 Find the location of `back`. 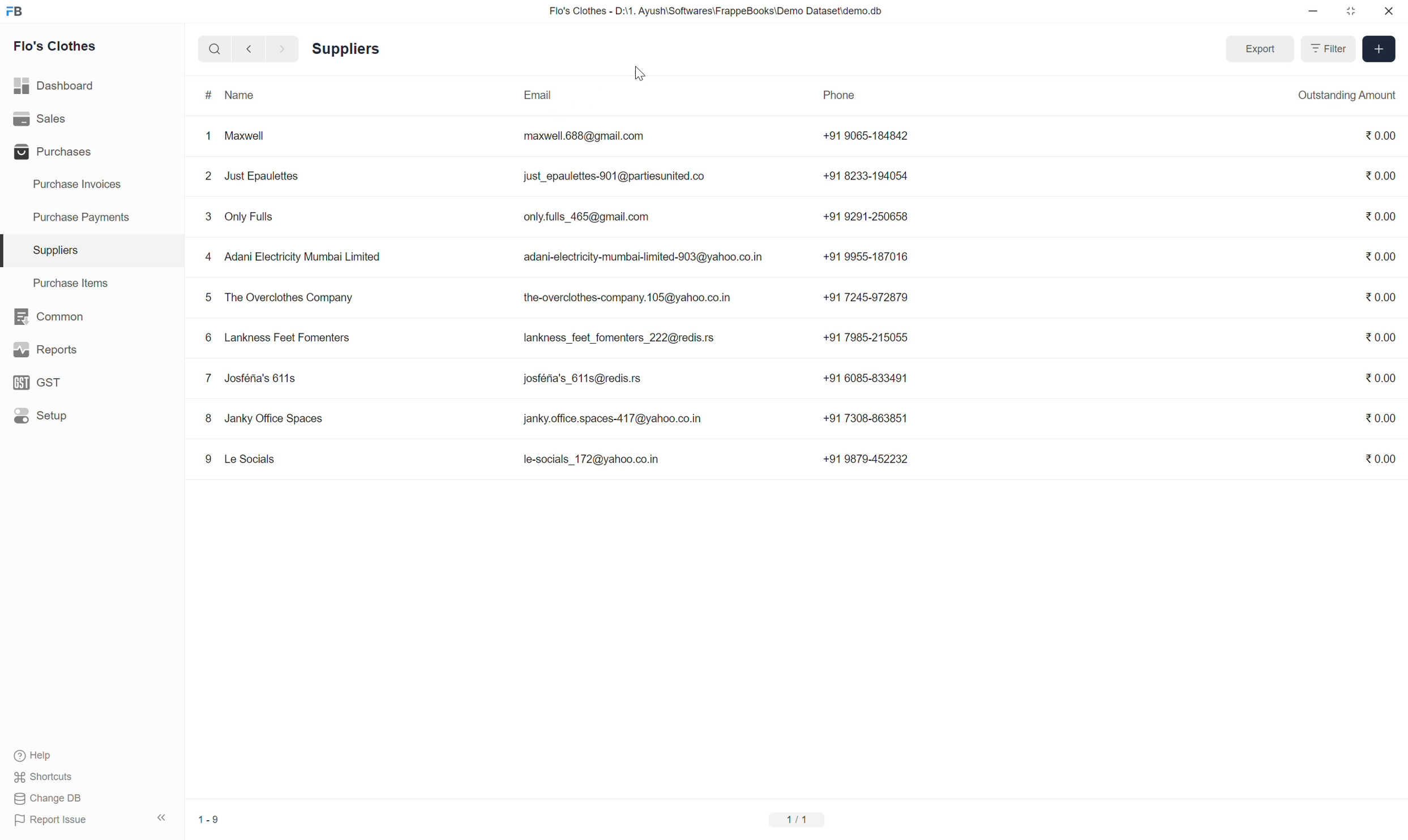

back is located at coordinates (249, 49).